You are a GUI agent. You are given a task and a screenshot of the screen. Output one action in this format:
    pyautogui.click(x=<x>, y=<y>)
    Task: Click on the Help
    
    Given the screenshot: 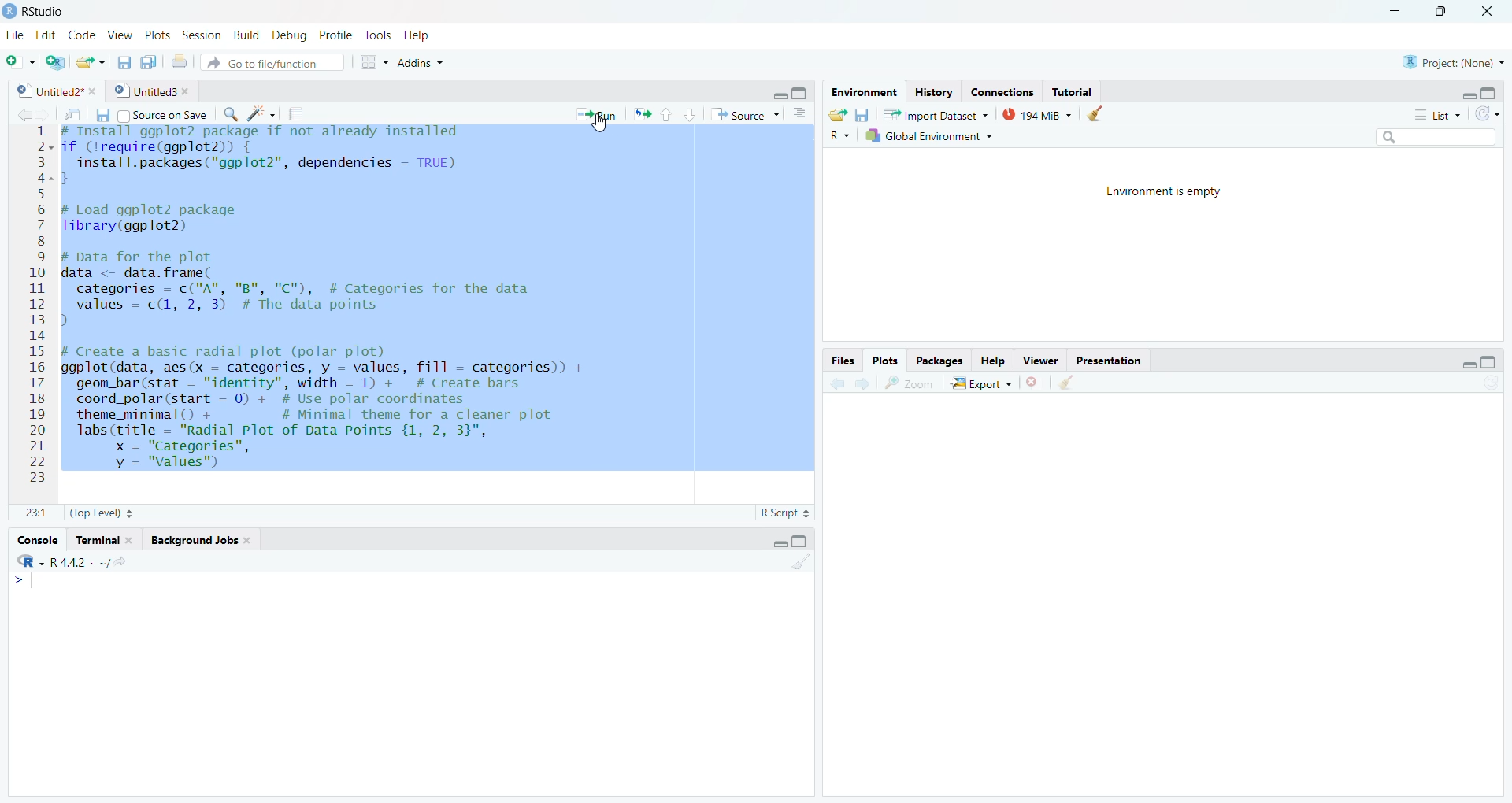 What is the action you would take?
    pyautogui.click(x=416, y=35)
    